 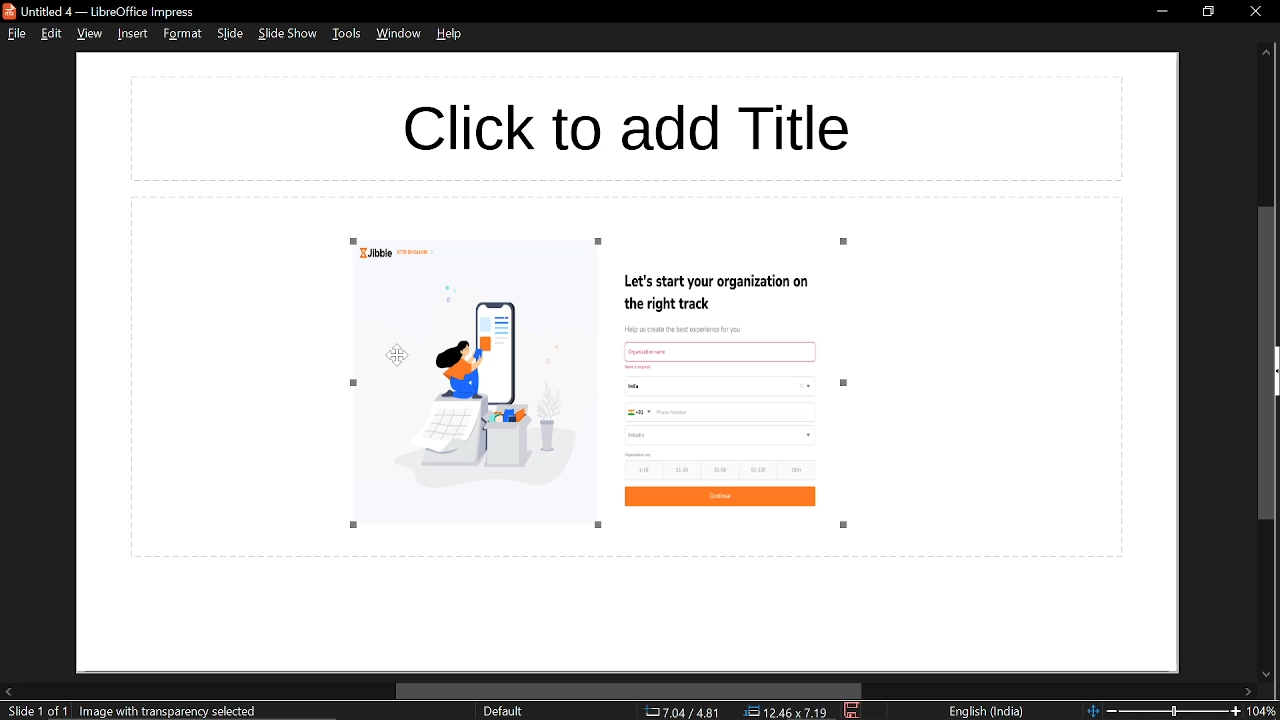 I want to click on current zoom, so click(x=1265, y=711).